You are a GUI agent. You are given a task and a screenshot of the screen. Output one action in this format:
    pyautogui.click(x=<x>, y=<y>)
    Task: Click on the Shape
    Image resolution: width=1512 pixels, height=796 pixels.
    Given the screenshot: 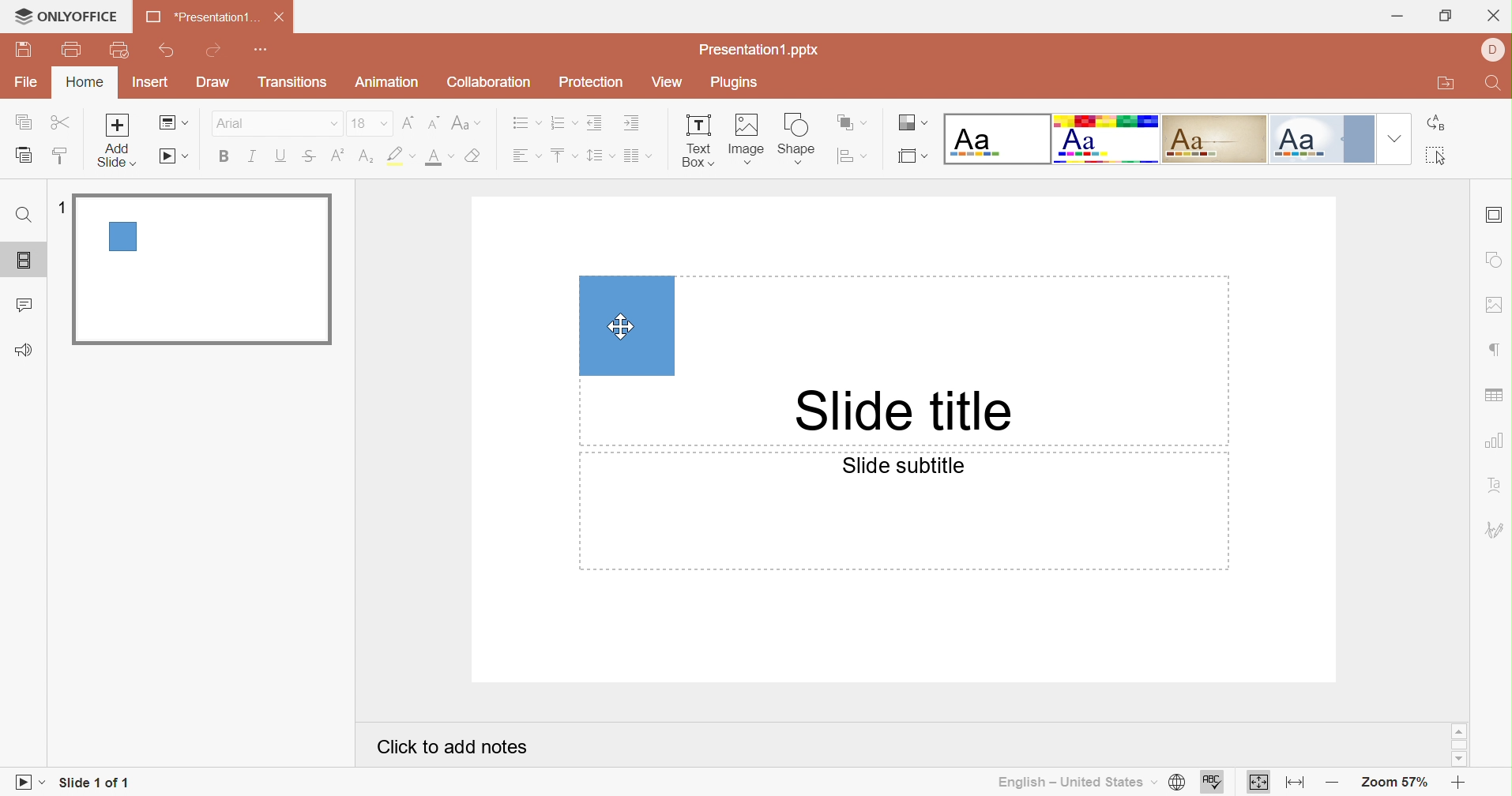 What is the action you would take?
    pyautogui.click(x=795, y=141)
    